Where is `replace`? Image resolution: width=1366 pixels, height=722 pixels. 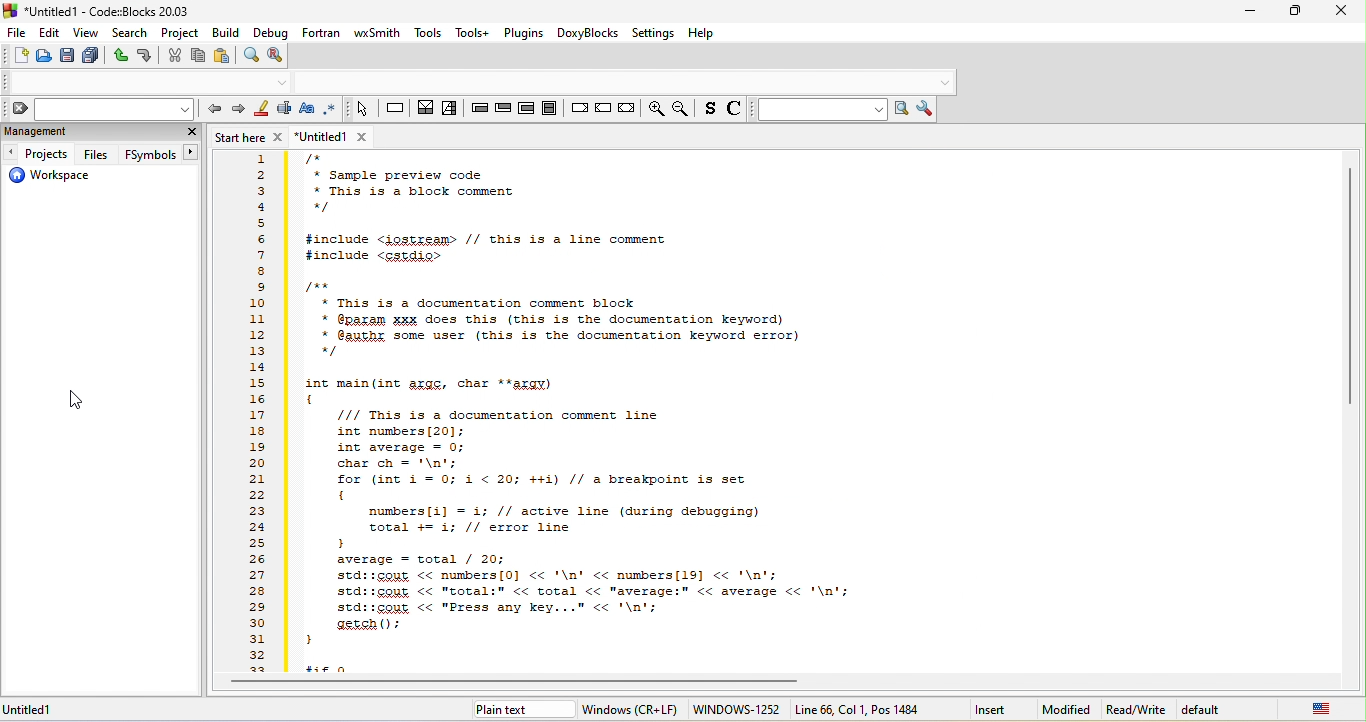 replace is located at coordinates (279, 57).